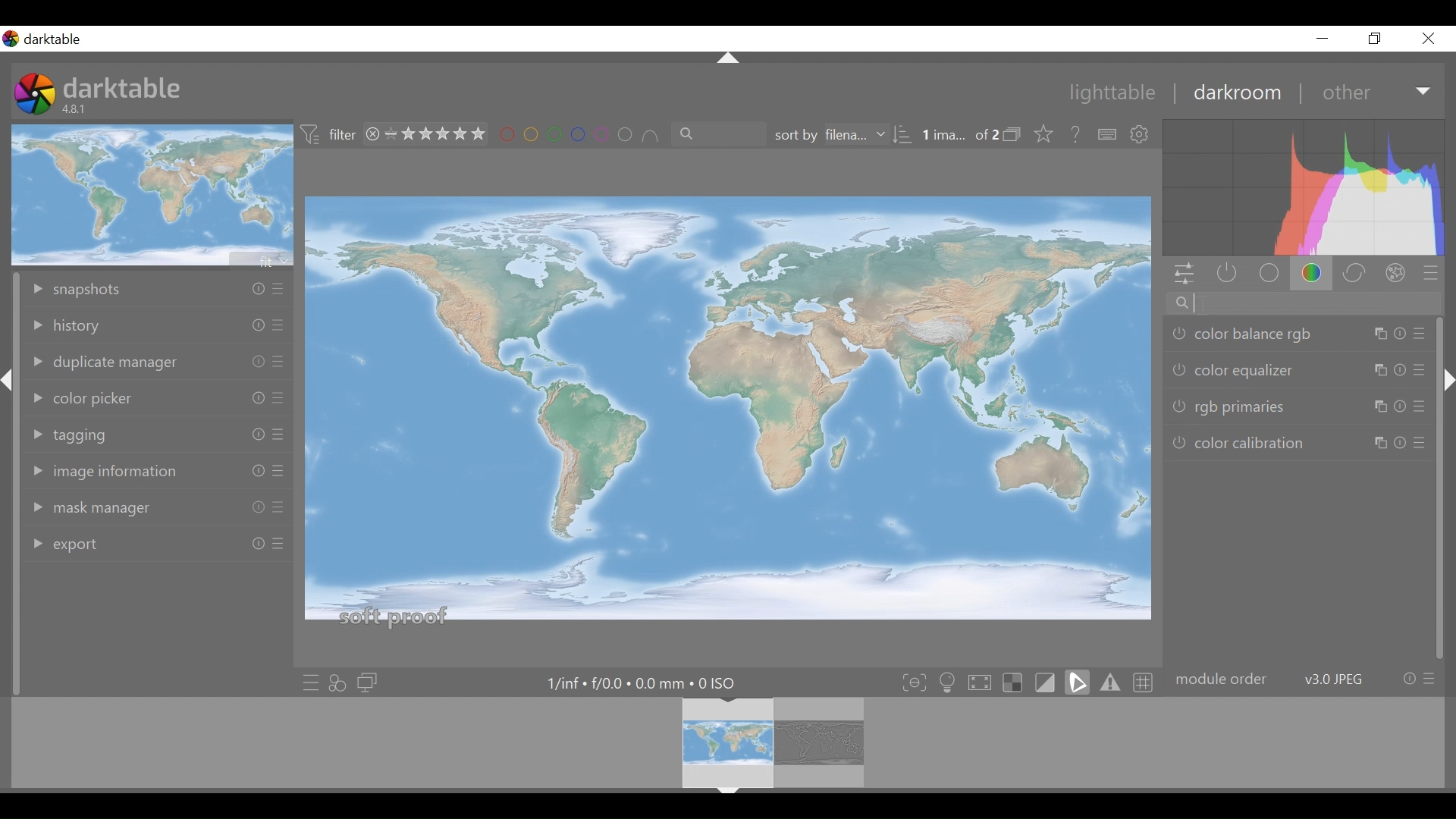  I want to click on color calibration, so click(1300, 441).